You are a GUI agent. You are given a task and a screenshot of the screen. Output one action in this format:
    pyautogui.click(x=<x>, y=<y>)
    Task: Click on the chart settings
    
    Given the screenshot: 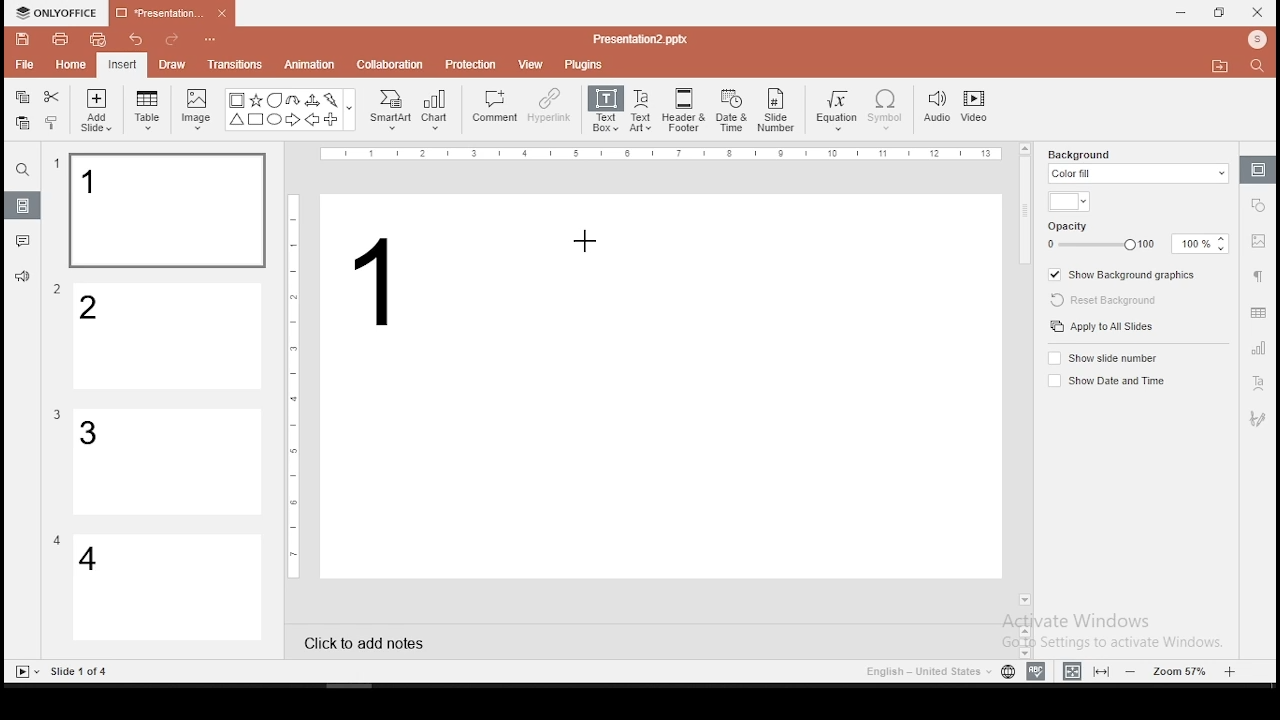 What is the action you would take?
    pyautogui.click(x=1257, y=348)
    